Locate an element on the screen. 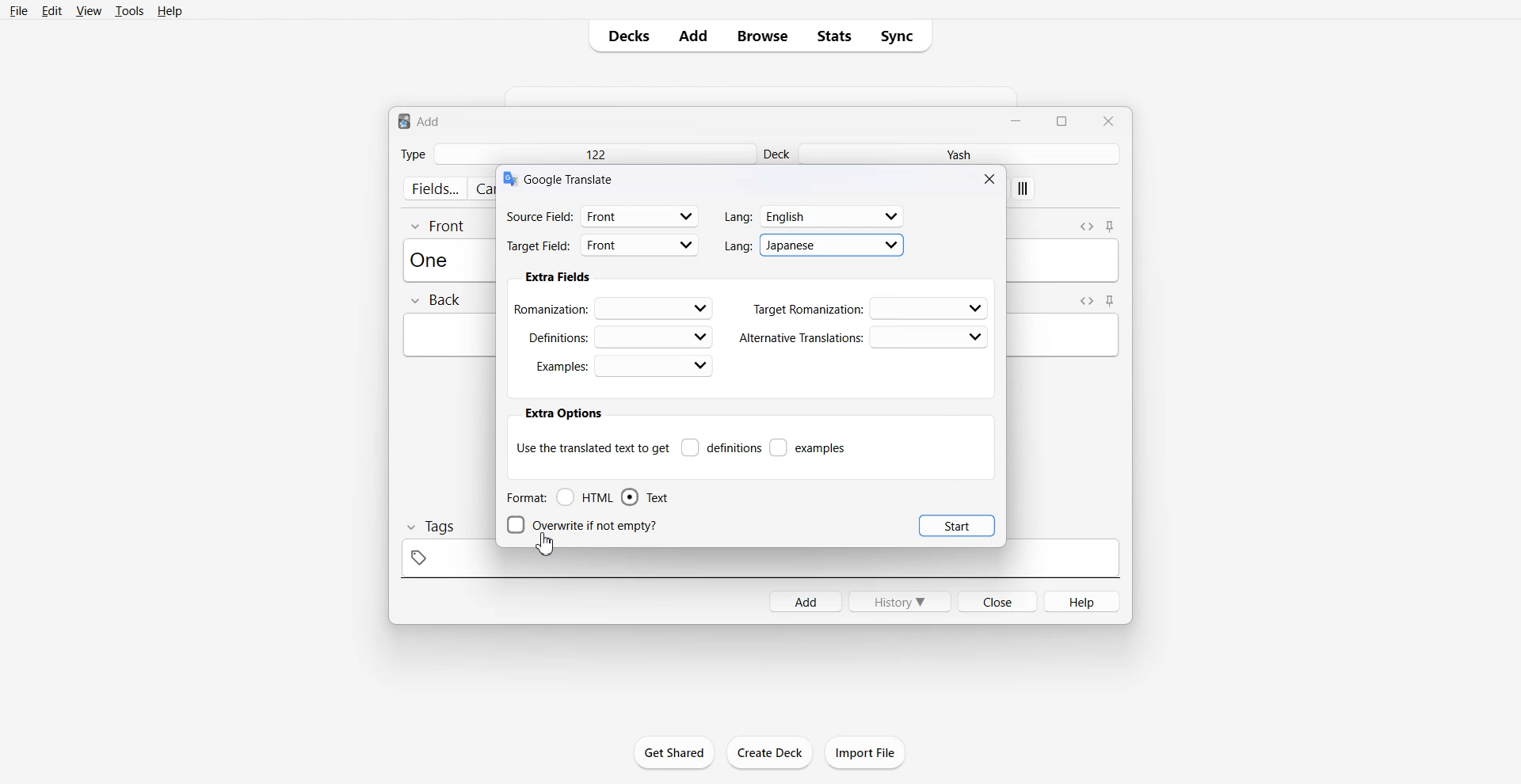 The width and height of the screenshot is (1521, 784). Target Romanization is located at coordinates (871, 308).